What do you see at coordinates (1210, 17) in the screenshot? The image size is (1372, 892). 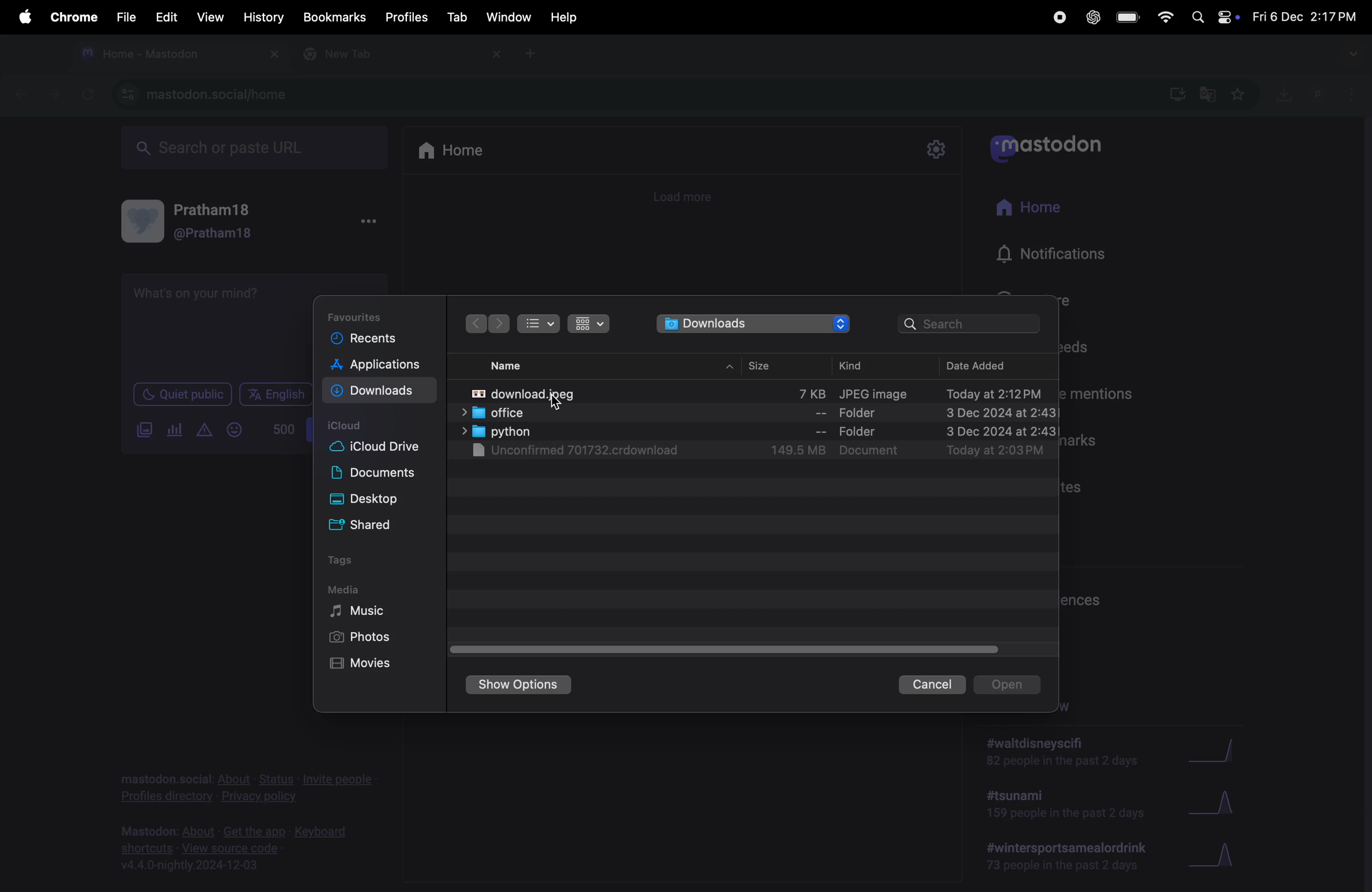 I see `apple widgets` at bounding box center [1210, 17].